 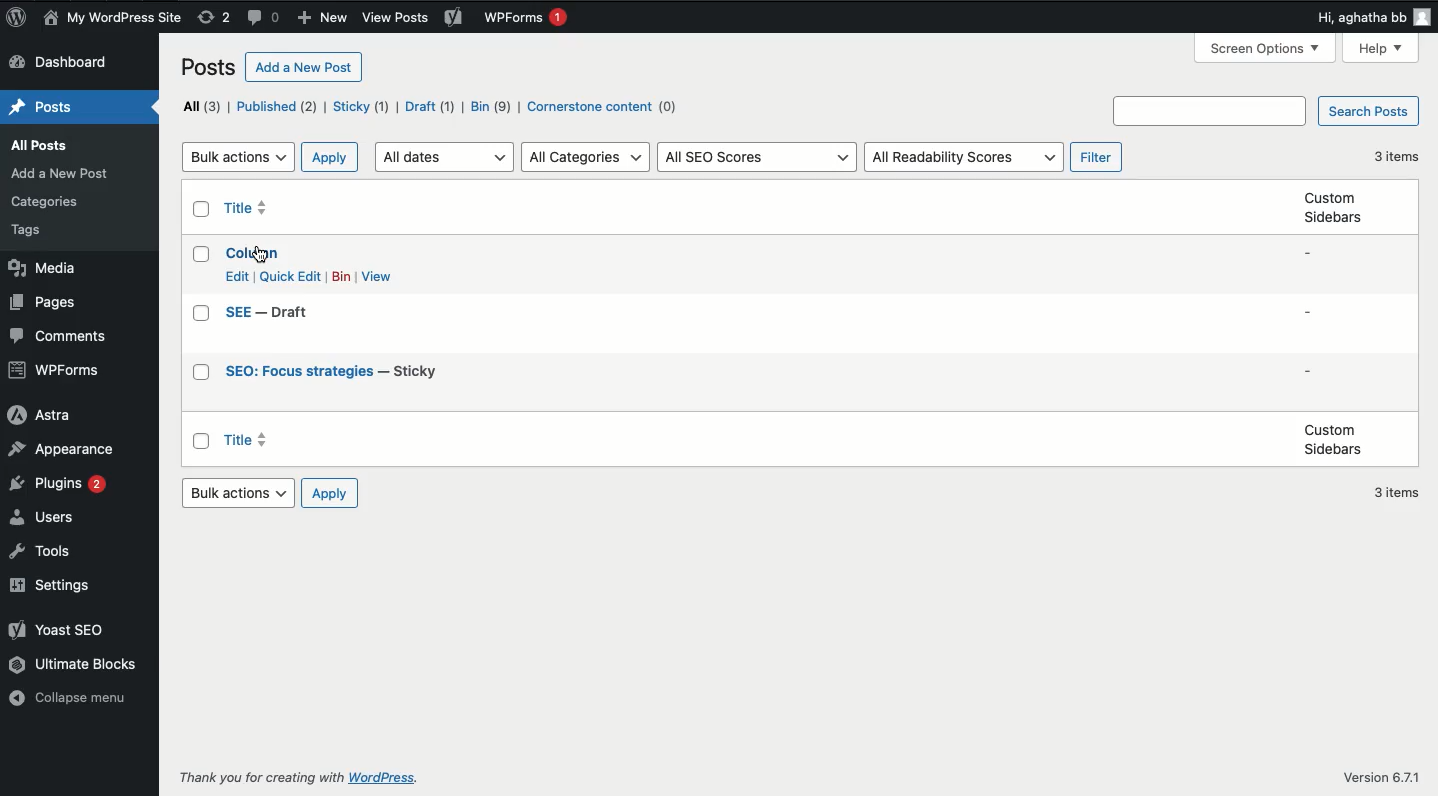 What do you see at coordinates (113, 18) in the screenshot?
I see `Name` at bounding box center [113, 18].